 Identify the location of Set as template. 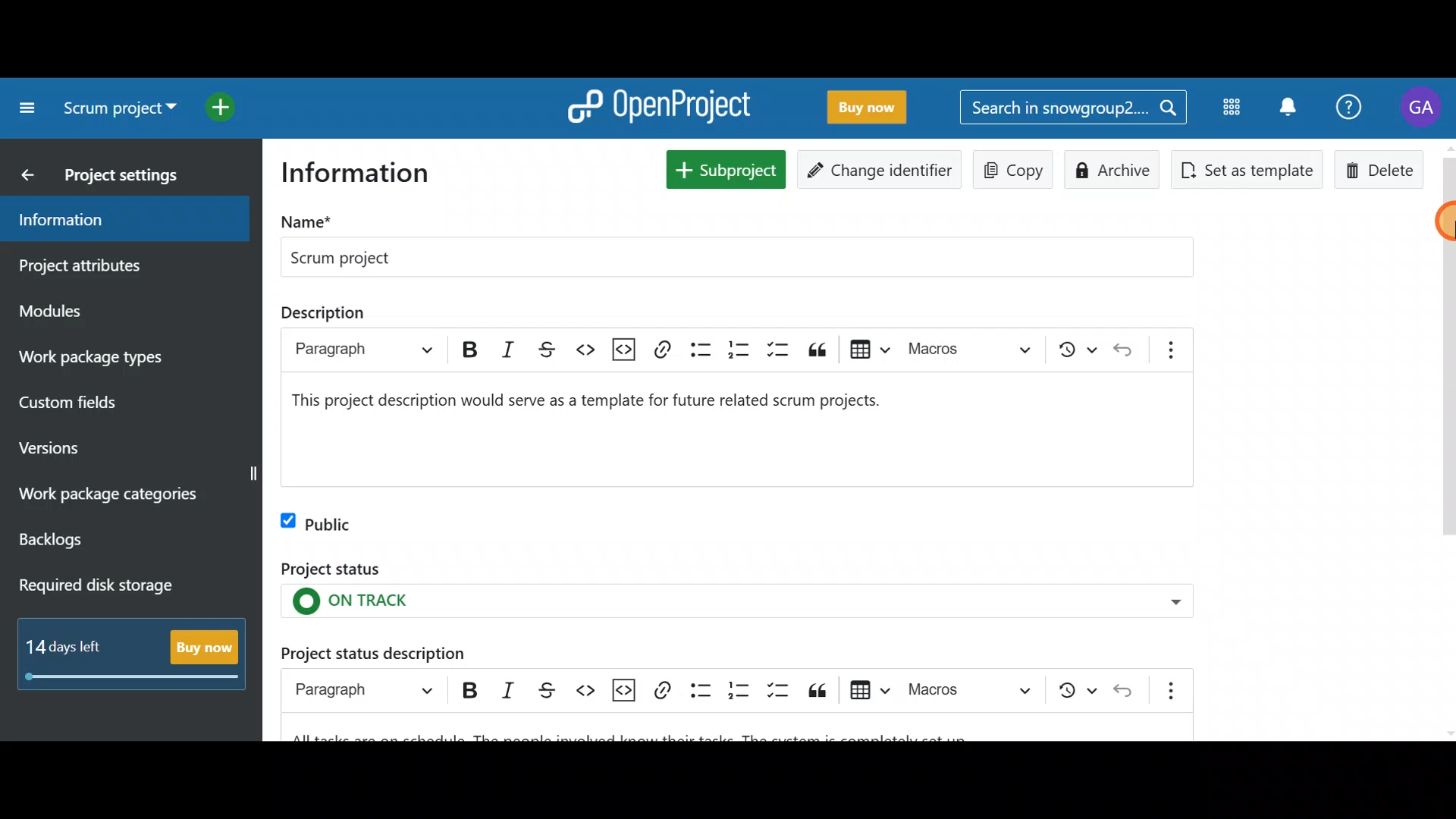
(1250, 172).